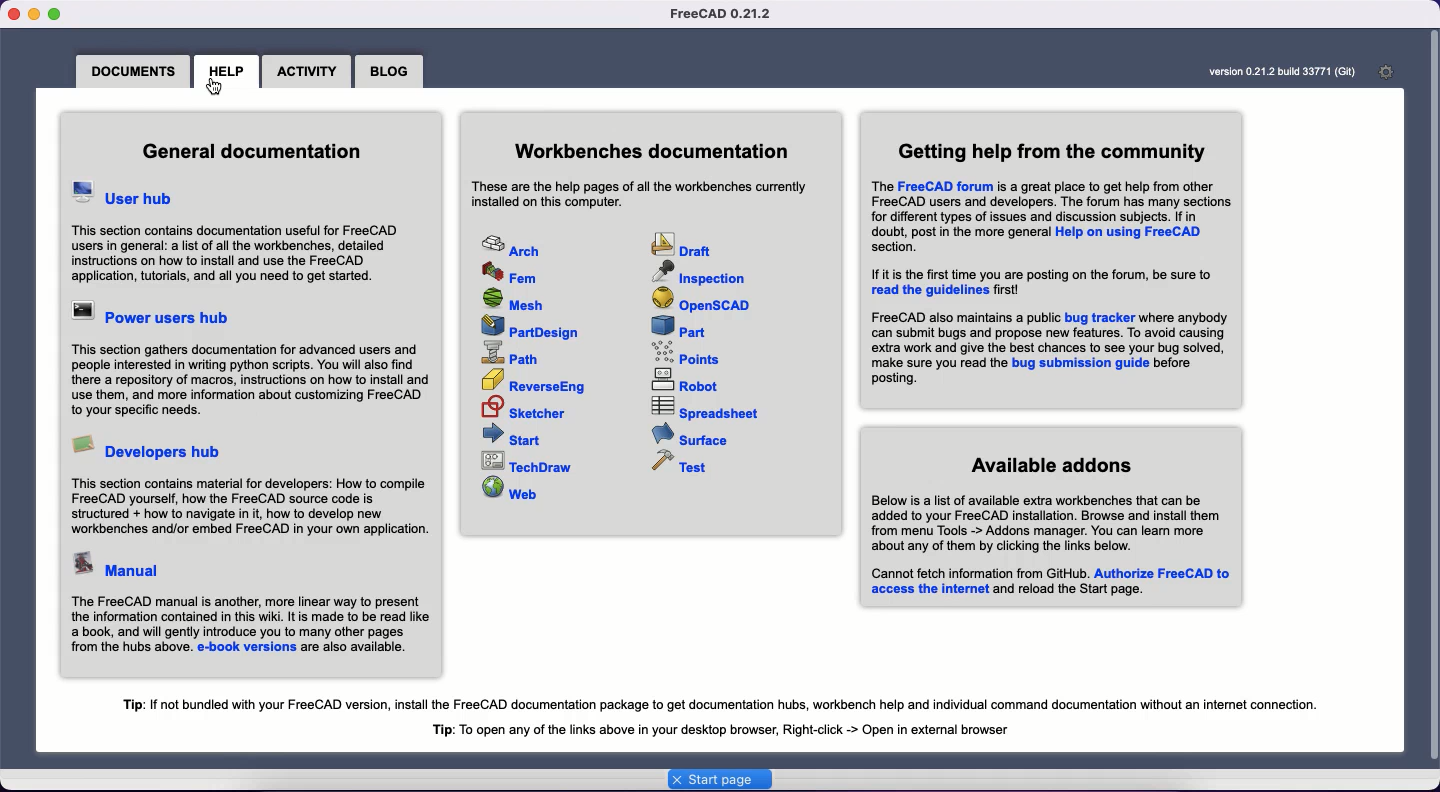  I want to click on Inspection, so click(697, 273).